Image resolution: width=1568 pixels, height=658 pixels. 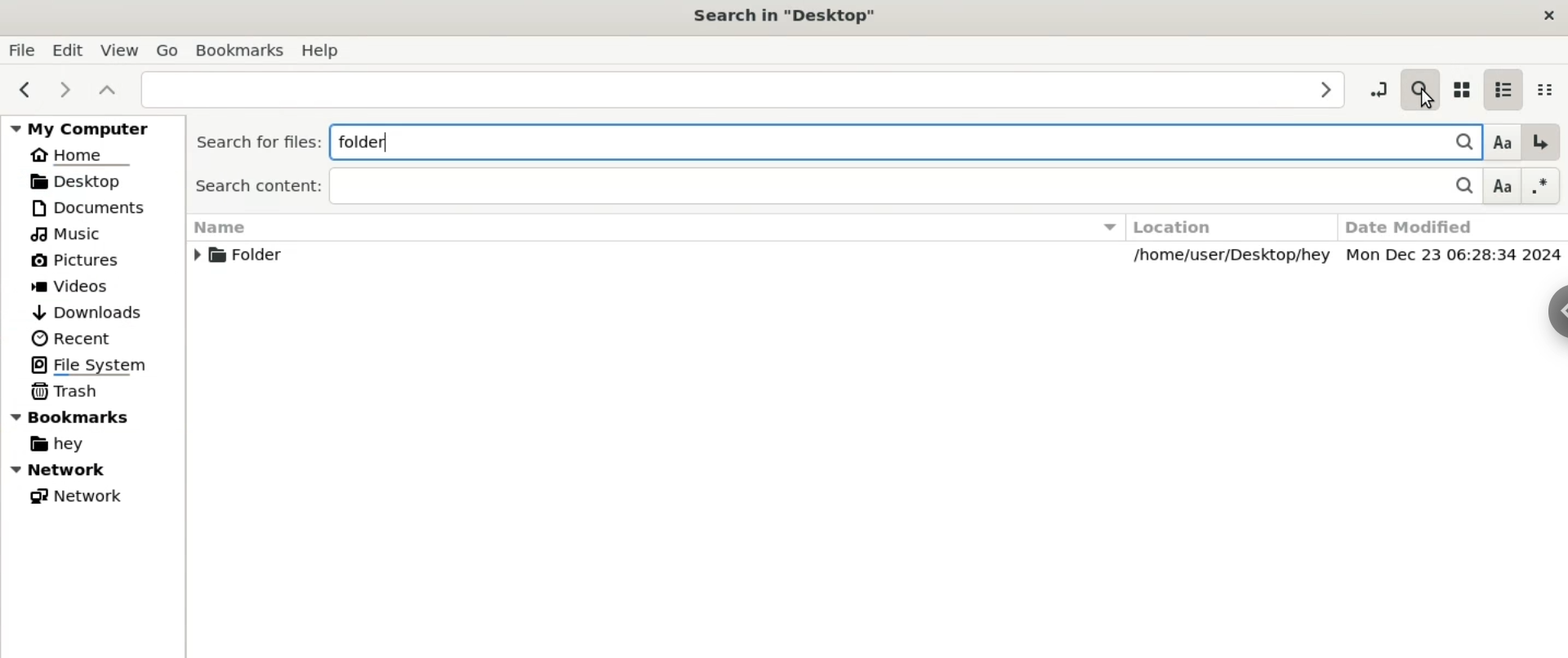 I want to click on Search Content, so click(x=807, y=187).